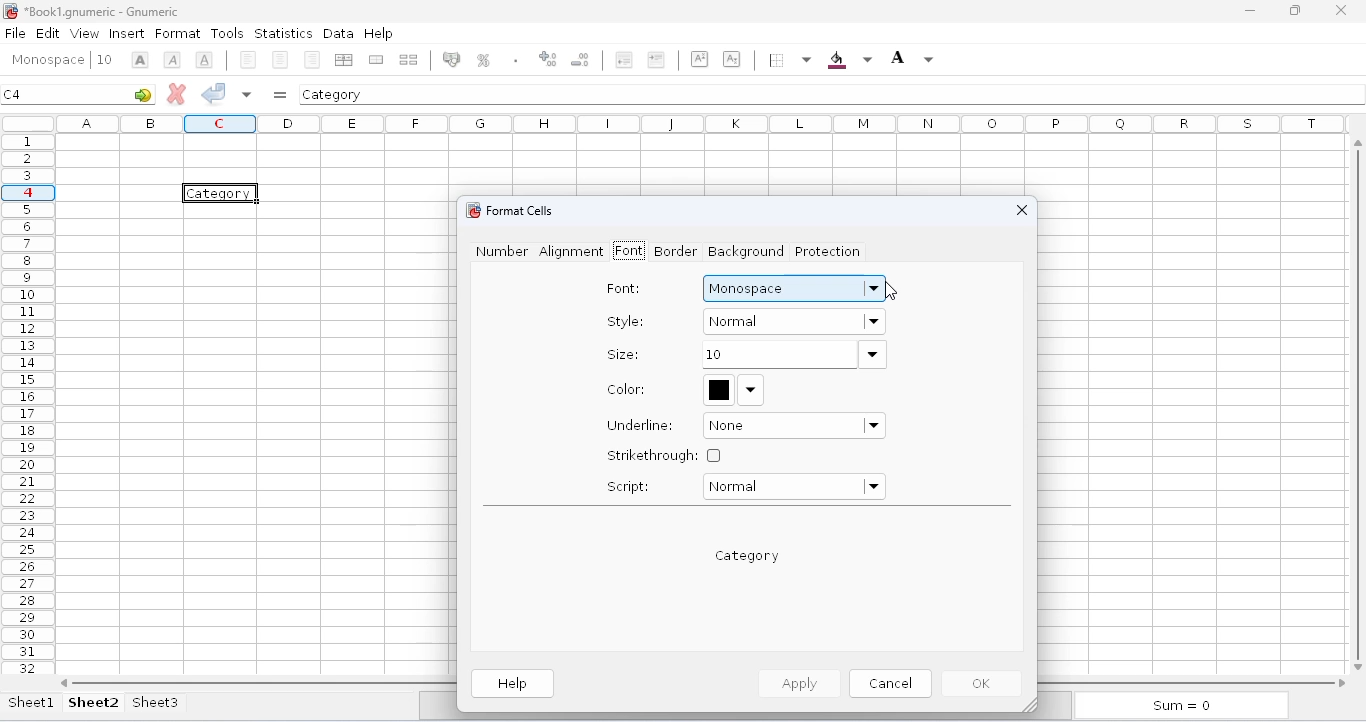 The height and width of the screenshot is (722, 1366). What do you see at coordinates (849, 60) in the screenshot?
I see `background` at bounding box center [849, 60].